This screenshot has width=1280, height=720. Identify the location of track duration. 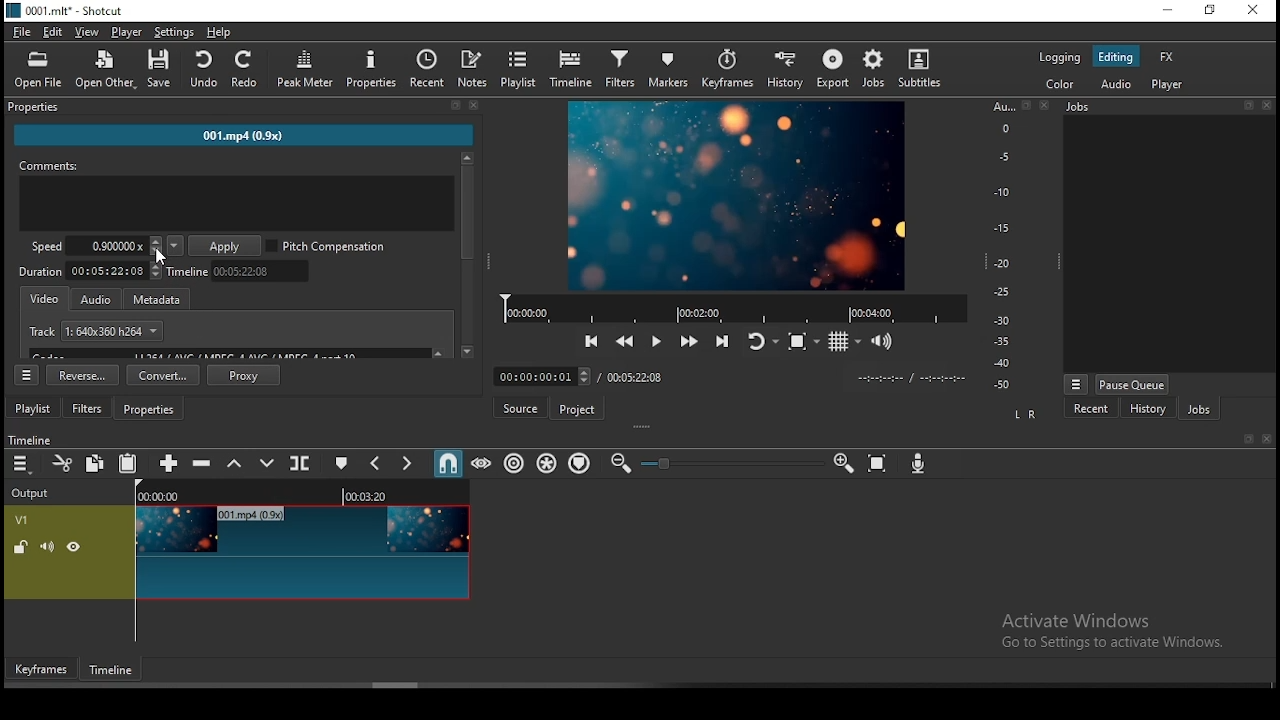
(635, 379).